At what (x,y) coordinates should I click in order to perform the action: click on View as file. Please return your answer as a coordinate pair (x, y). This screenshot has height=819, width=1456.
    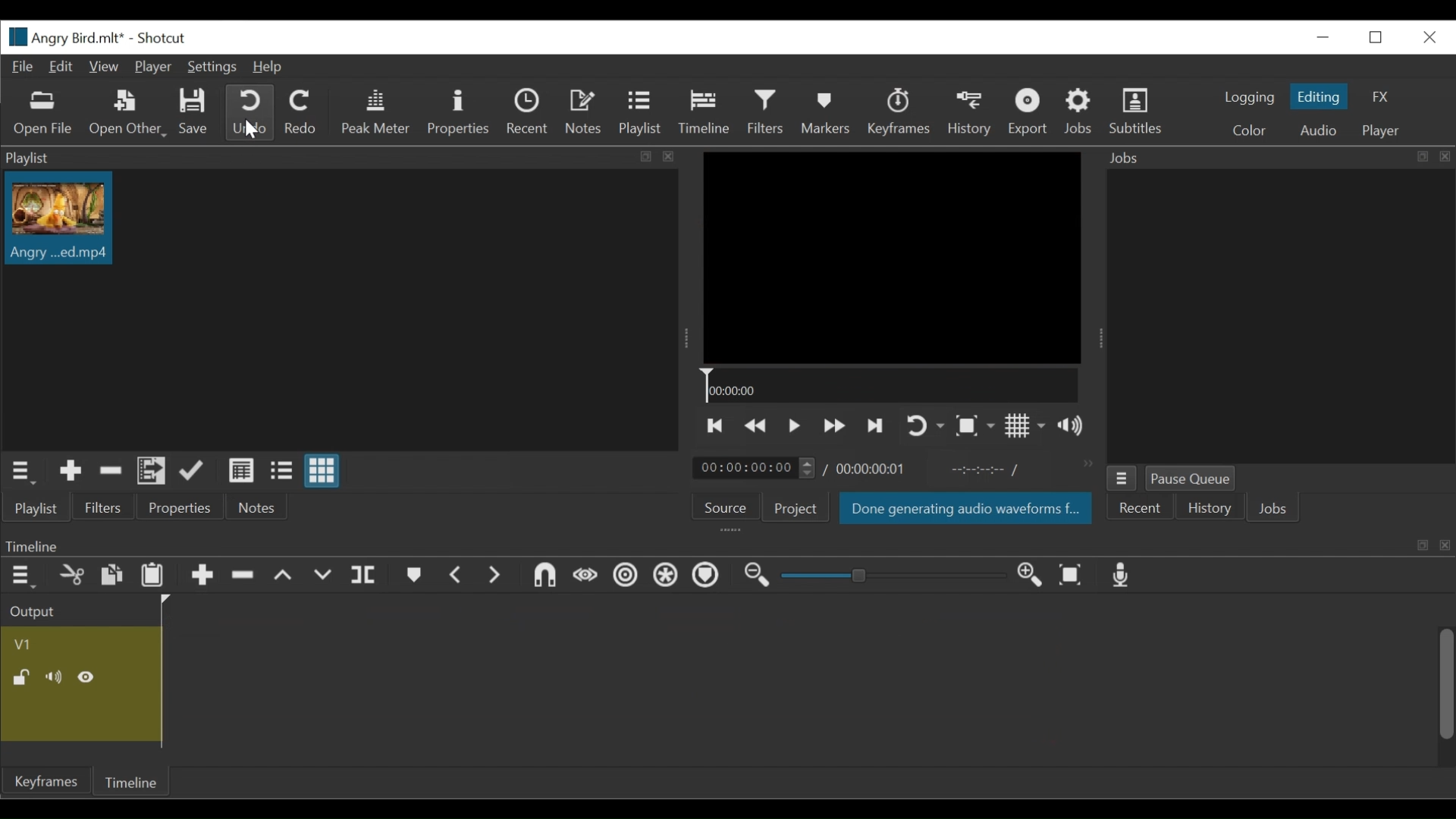
    Looking at the image, I should click on (281, 471).